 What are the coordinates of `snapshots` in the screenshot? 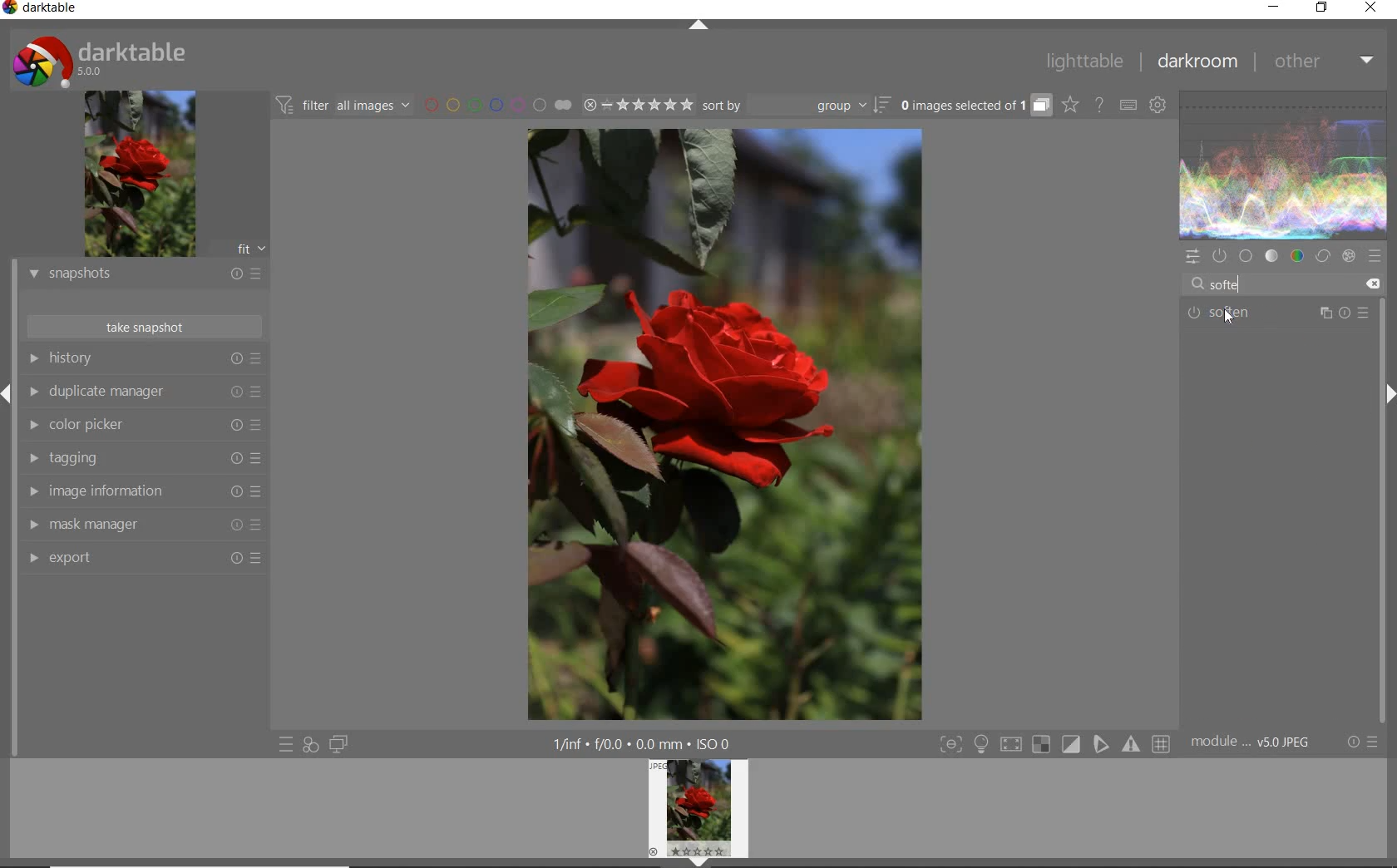 It's located at (144, 275).